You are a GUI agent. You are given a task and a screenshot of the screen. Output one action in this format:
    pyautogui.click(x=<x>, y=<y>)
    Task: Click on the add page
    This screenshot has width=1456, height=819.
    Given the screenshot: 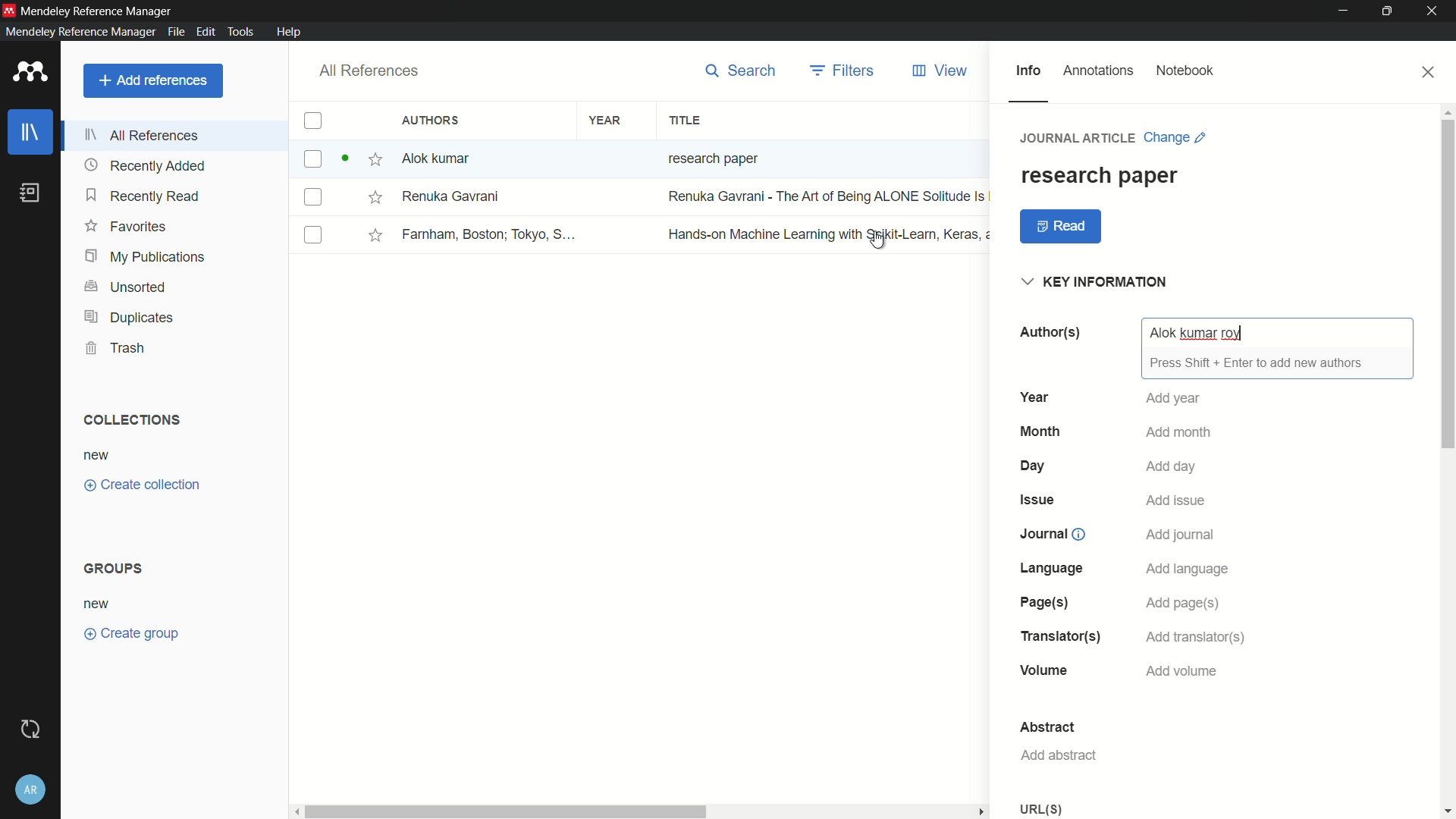 What is the action you would take?
    pyautogui.click(x=1184, y=603)
    